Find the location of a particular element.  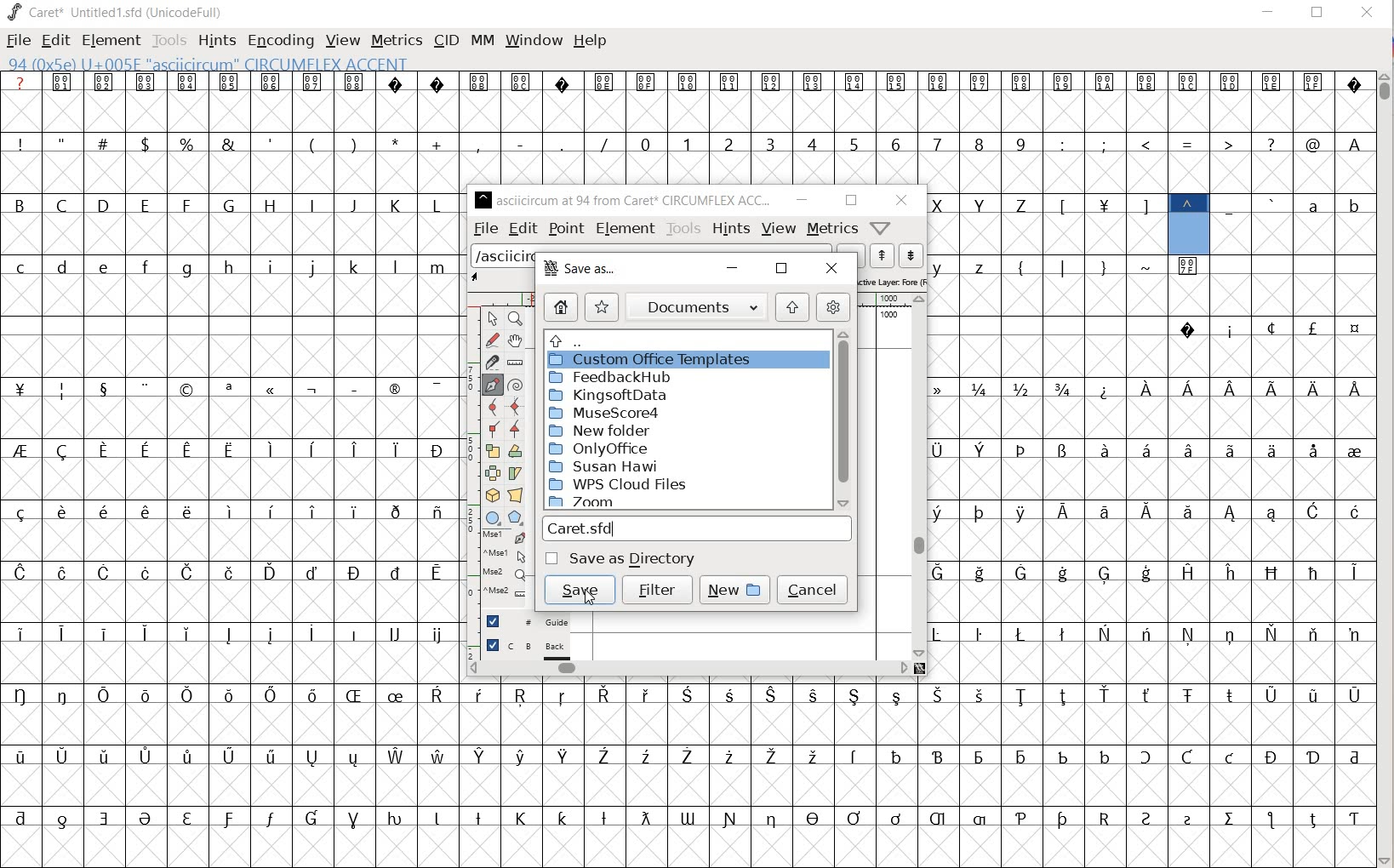

Feedback Hub is located at coordinates (611, 378).